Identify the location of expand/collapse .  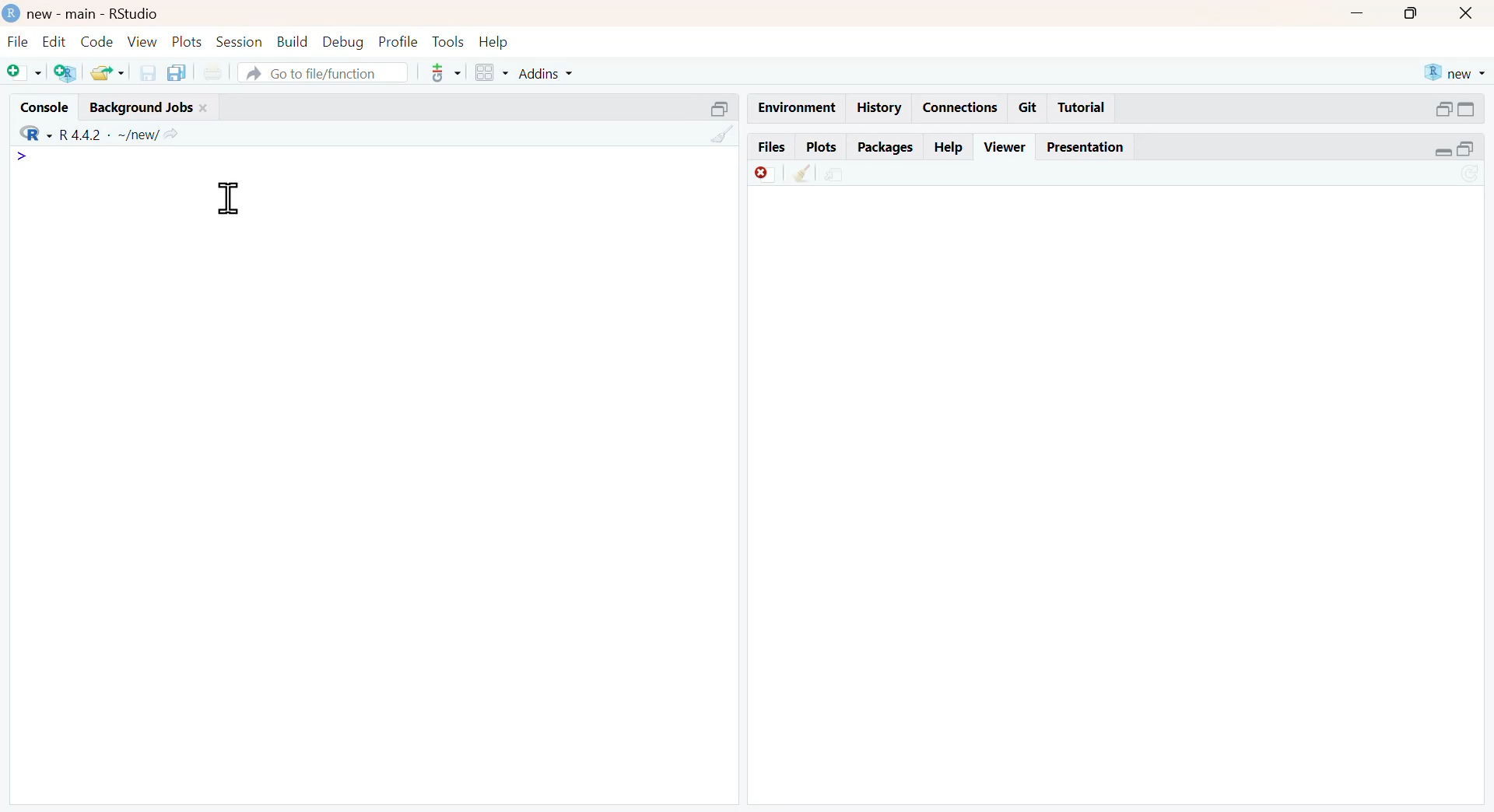
(1466, 109).